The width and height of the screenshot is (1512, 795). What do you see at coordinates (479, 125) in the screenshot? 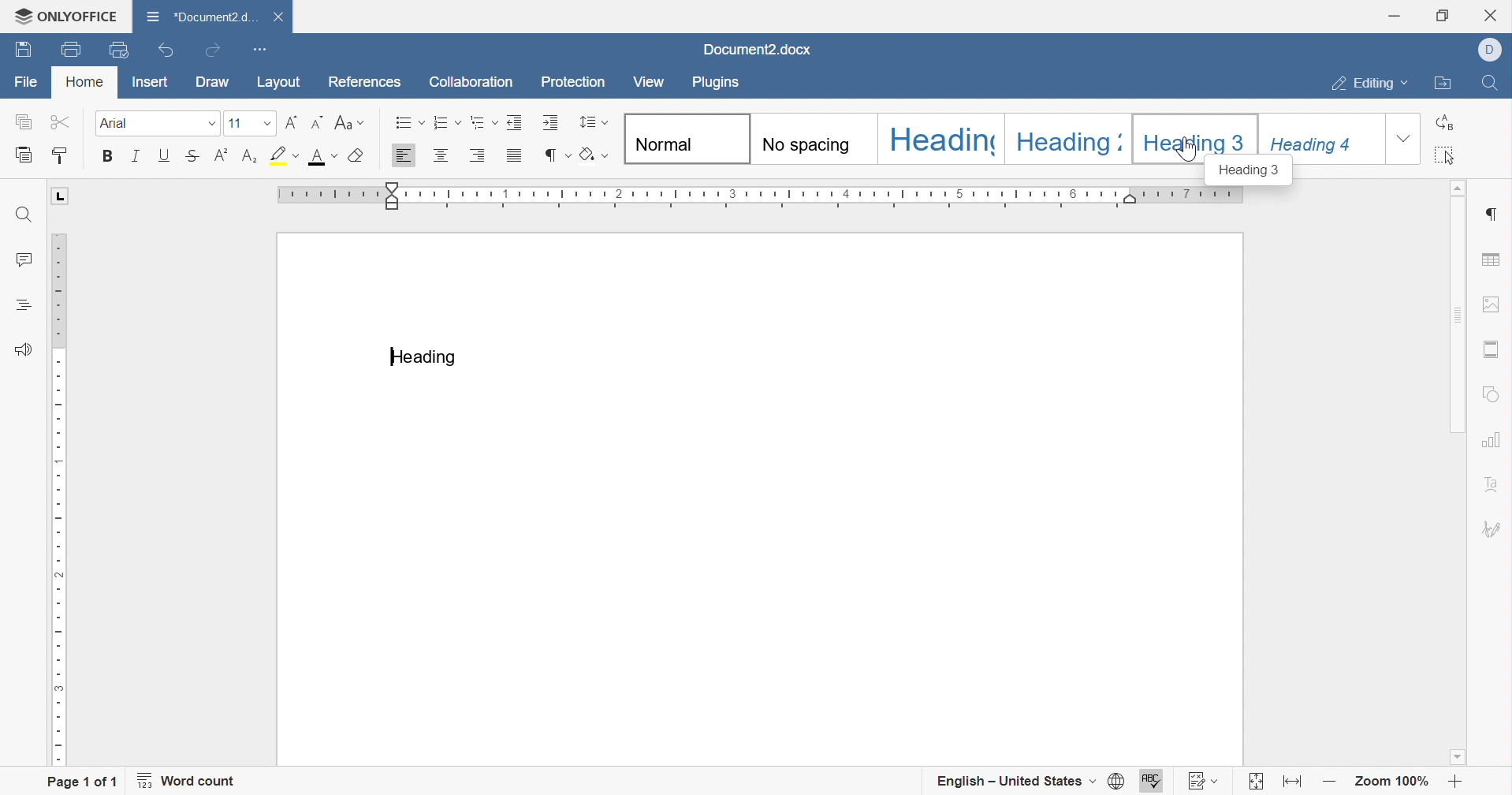
I see `Multilevel list` at bounding box center [479, 125].